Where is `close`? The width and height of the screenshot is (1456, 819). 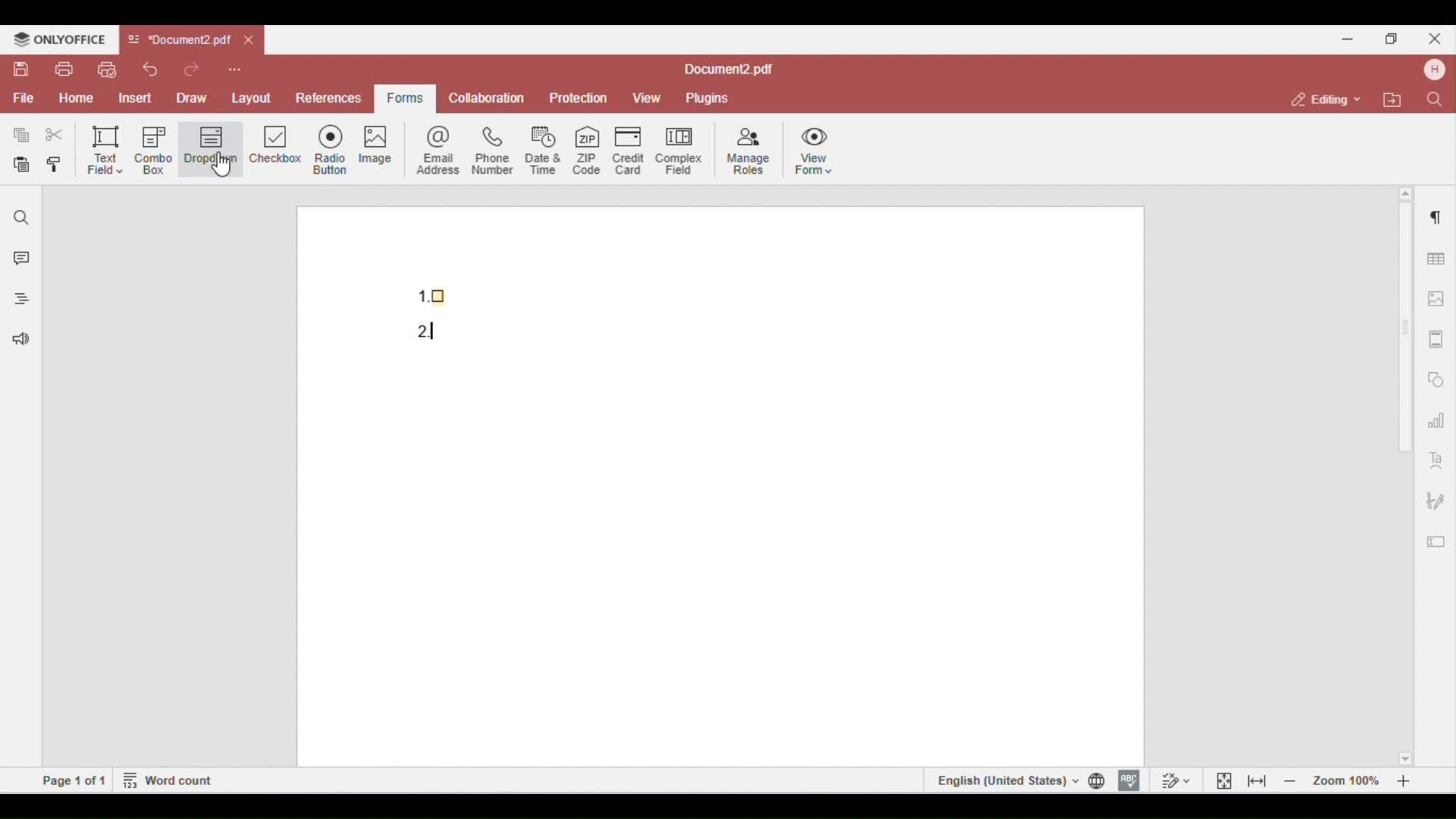 close is located at coordinates (250, 41).